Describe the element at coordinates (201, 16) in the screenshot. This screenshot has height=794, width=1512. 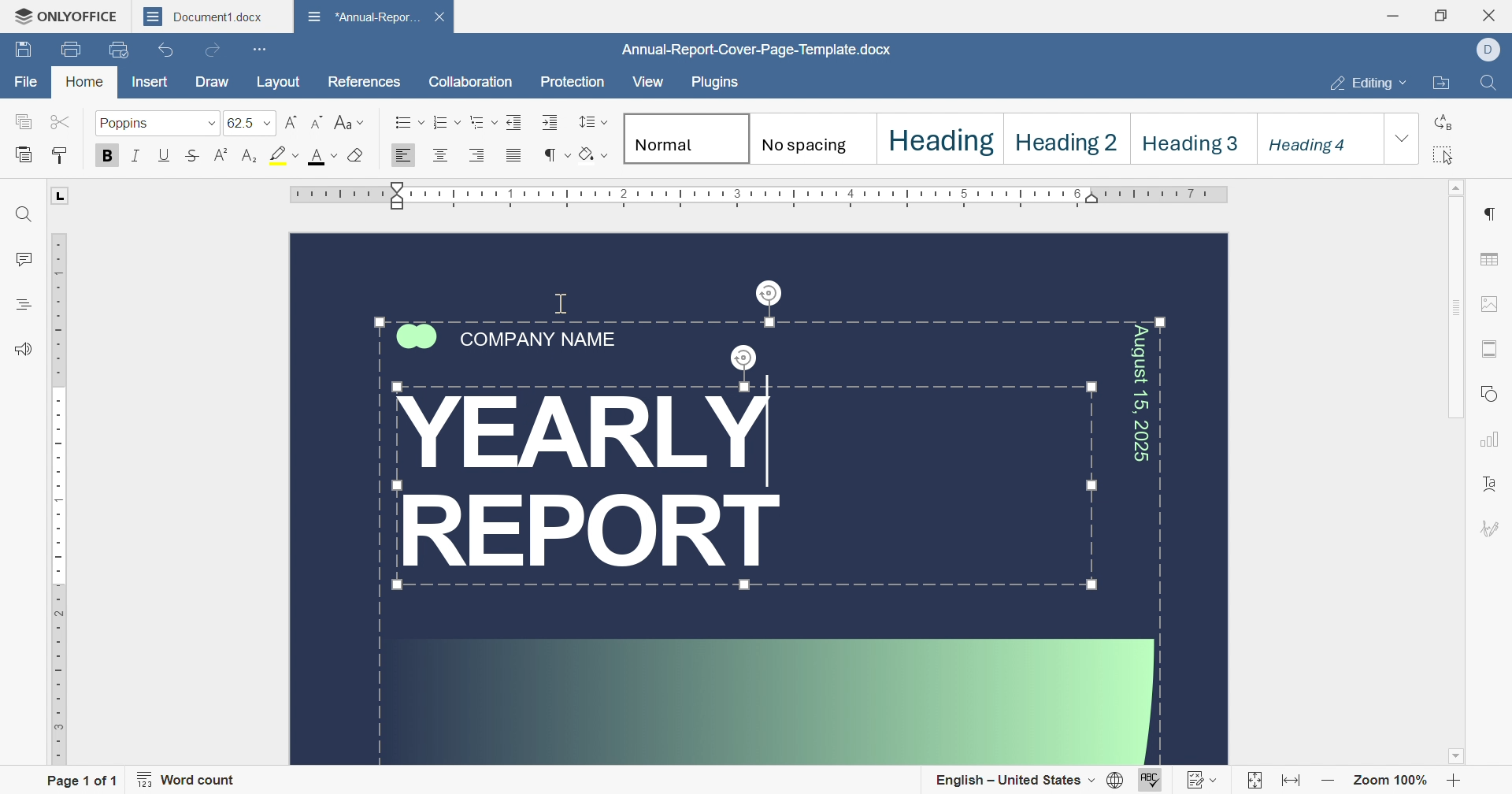
I see `Document1.d` at that location.